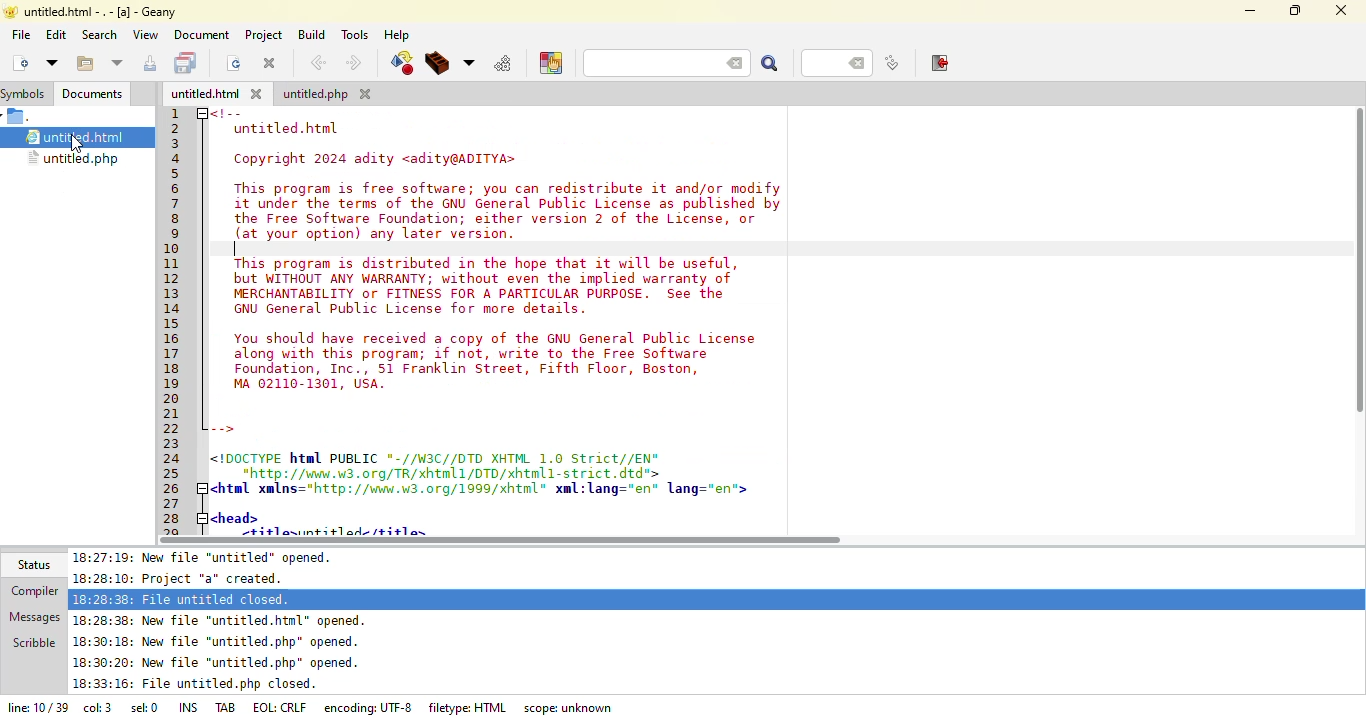 The height and width of the screenshot is (718, 1366). What do you see at coordinates (88, 63) in the screenshot?
I see `open existing` at bounding box center [88, 63].